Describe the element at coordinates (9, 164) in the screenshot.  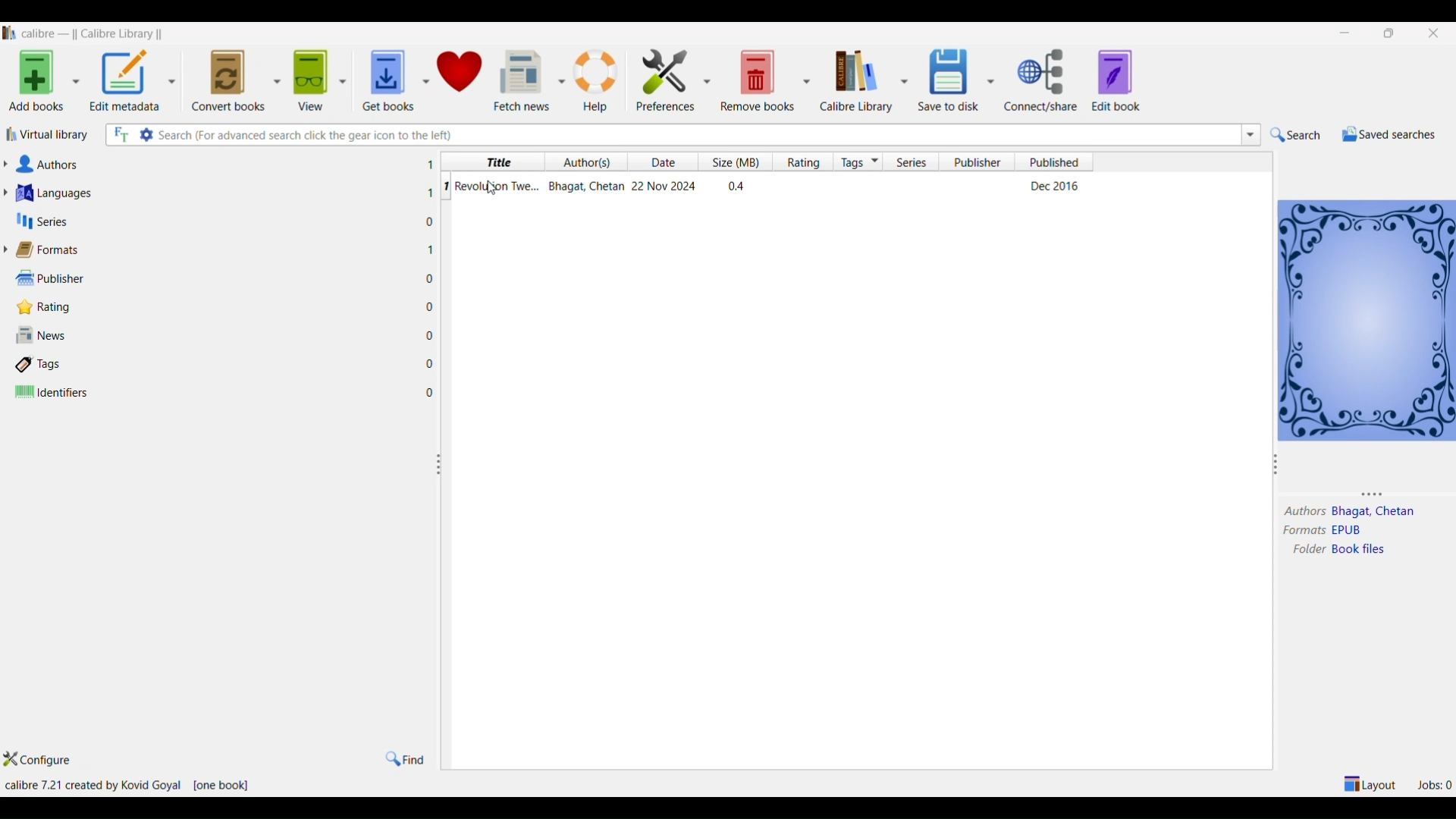
I see `view all authors dropdown button` at that location.